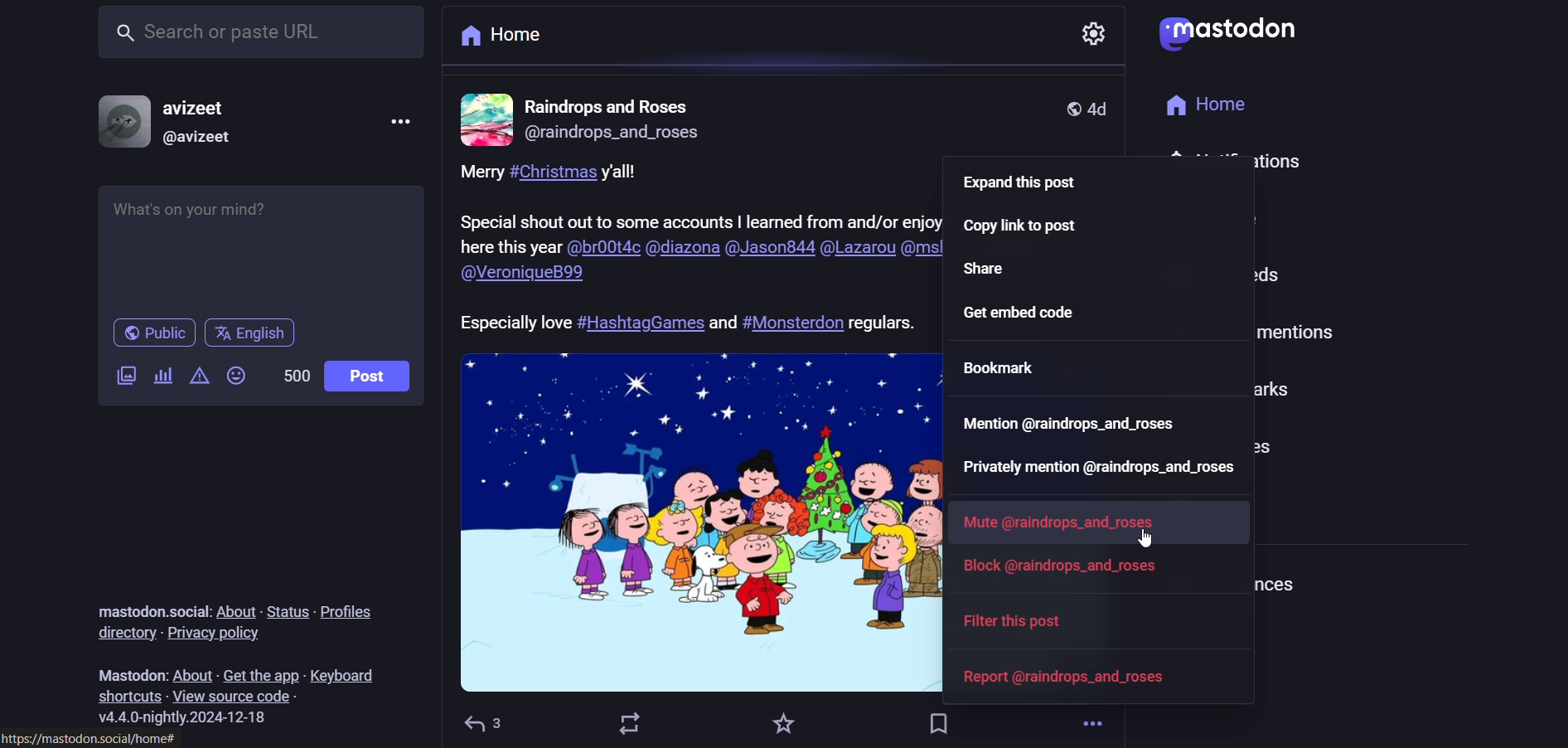  What do you see at coordinates (287, 607) in the screenshot?
I see `status` at bounding box center [287, 607].